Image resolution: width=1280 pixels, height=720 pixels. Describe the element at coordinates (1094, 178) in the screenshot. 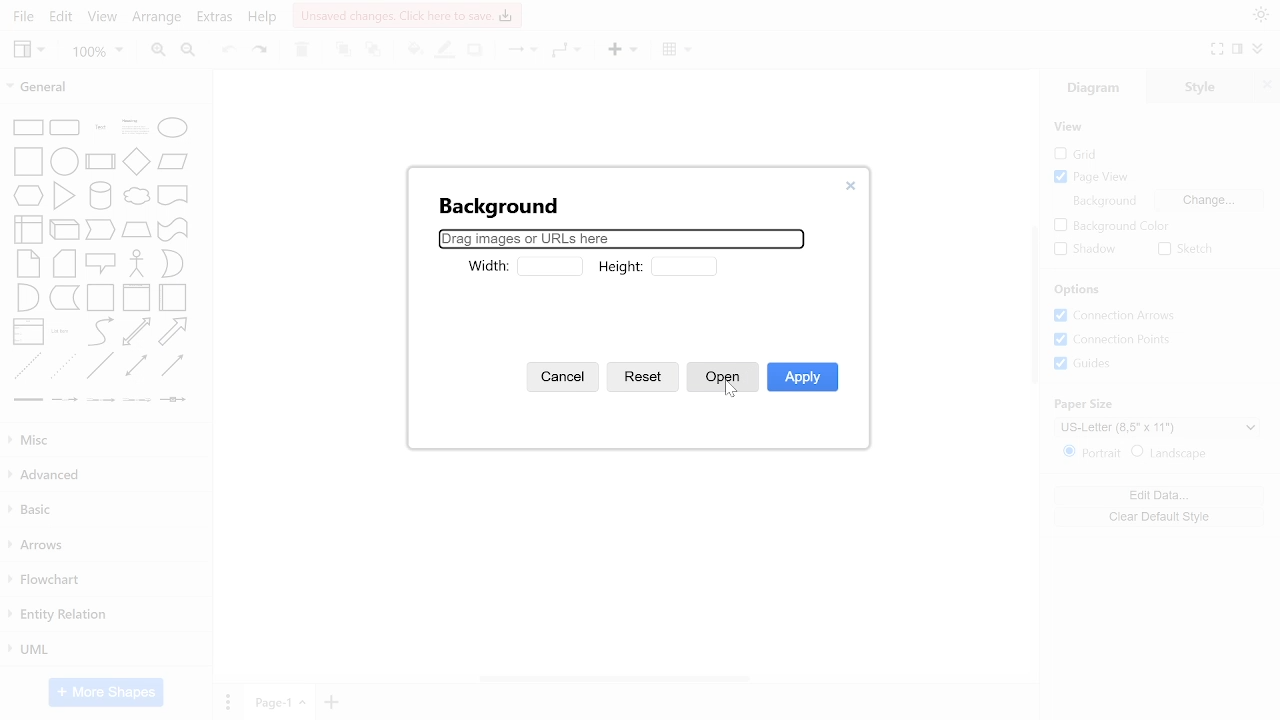

I see `page view` at that location.